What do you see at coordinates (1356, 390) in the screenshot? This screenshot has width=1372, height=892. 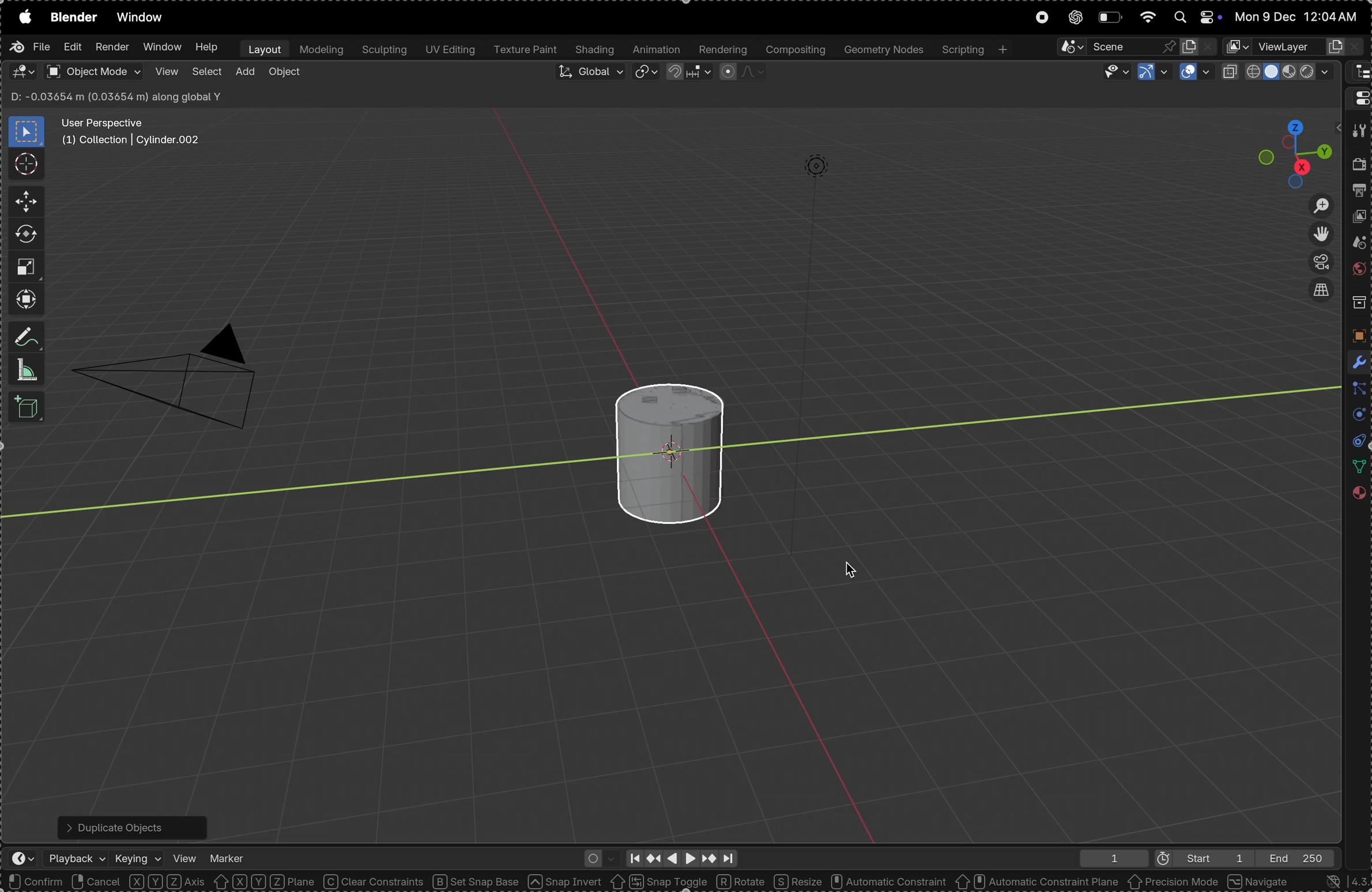 I see `particles` at bounding box center [1356, 390].